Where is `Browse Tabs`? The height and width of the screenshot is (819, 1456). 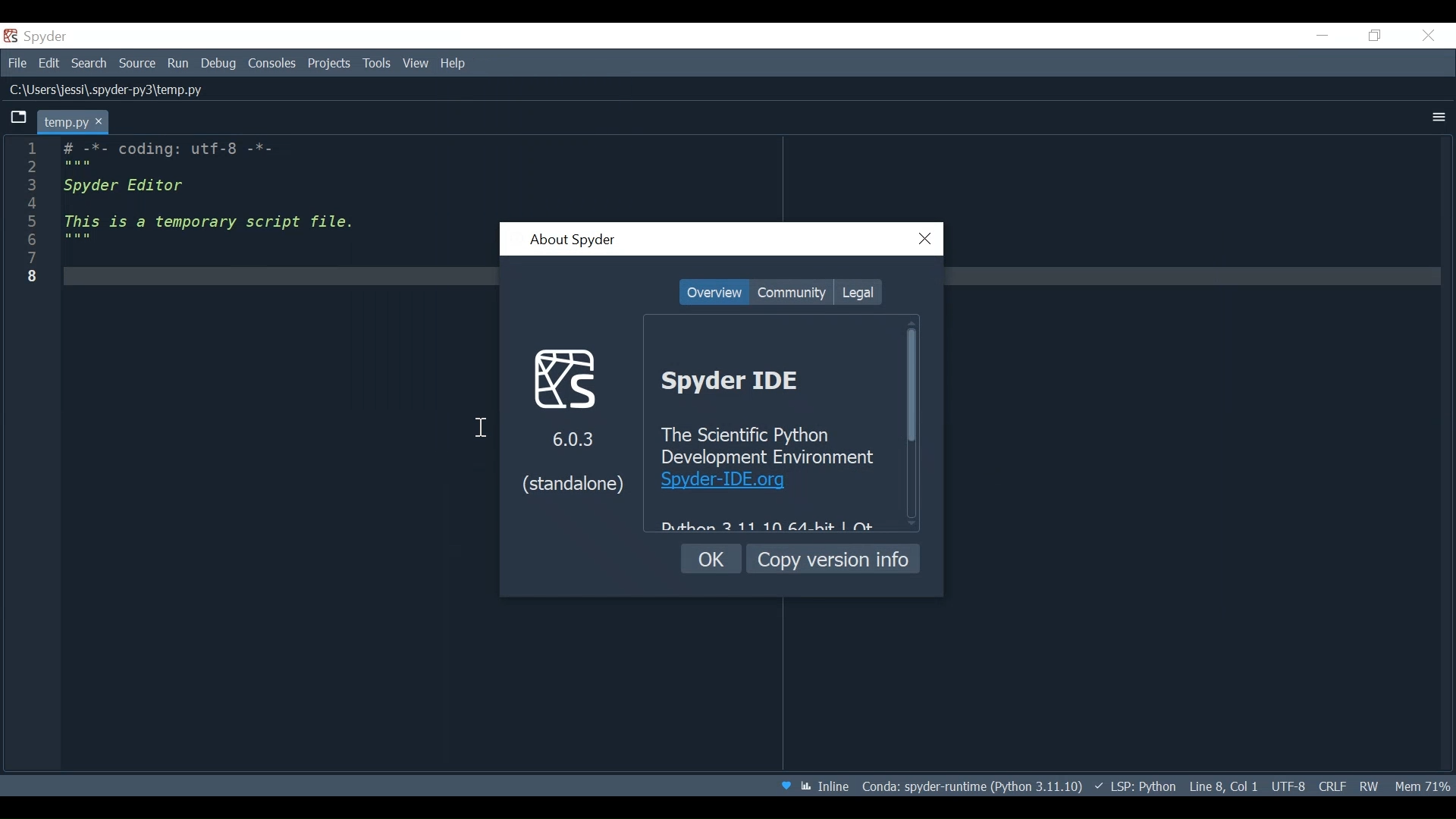 Browse Tabs is located at coordinates (17, 119).